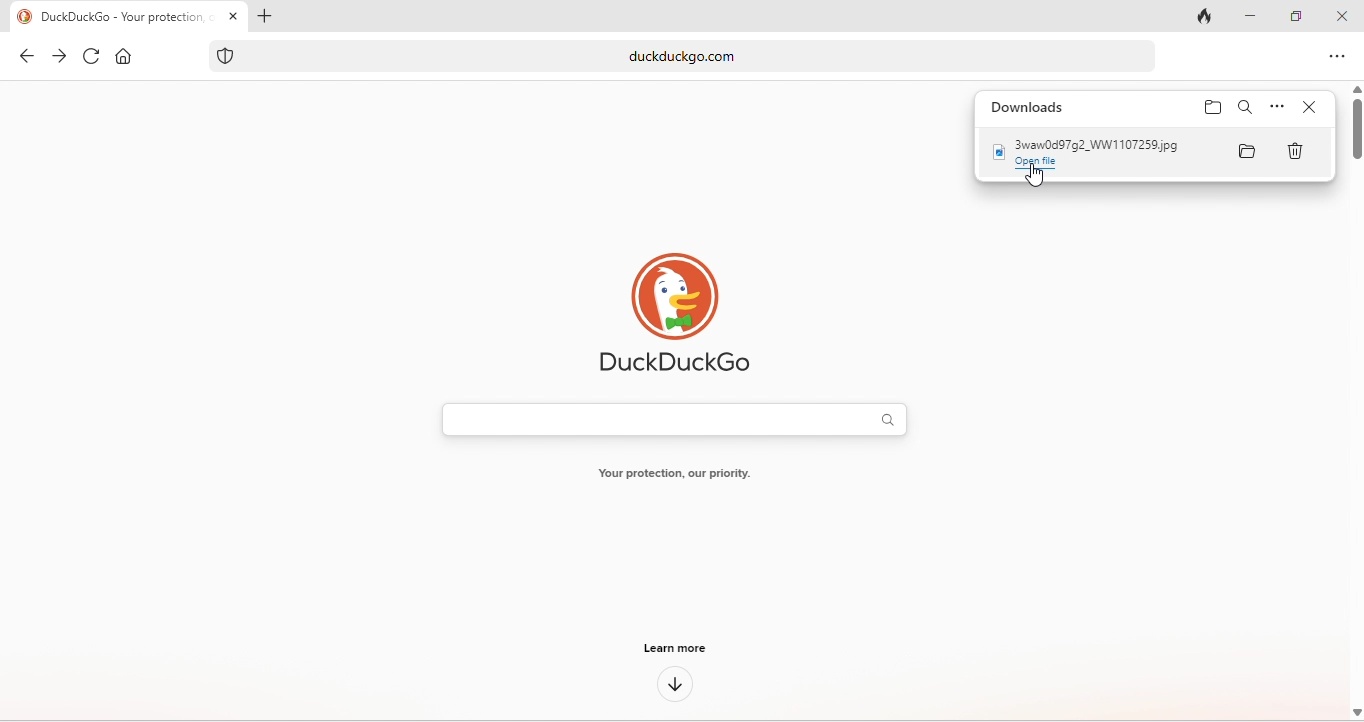 The height and width of the screenshot is (722, 1364). What do you see at coordinates (56, 57) in the screenshot?
I see `forward` at bounding box center [56, 57].